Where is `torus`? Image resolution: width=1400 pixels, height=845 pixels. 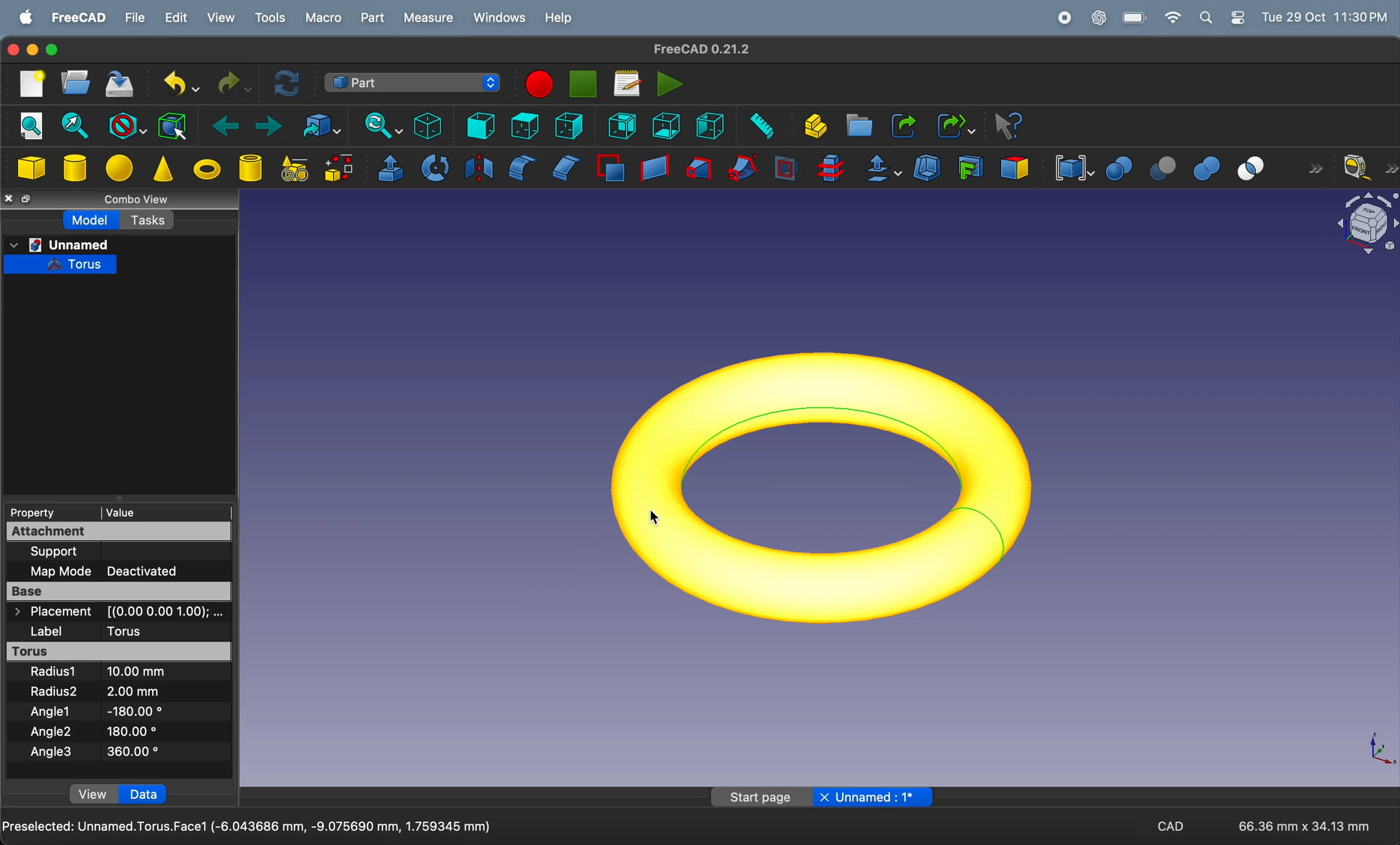
torus is located at coordinates (118, 651).